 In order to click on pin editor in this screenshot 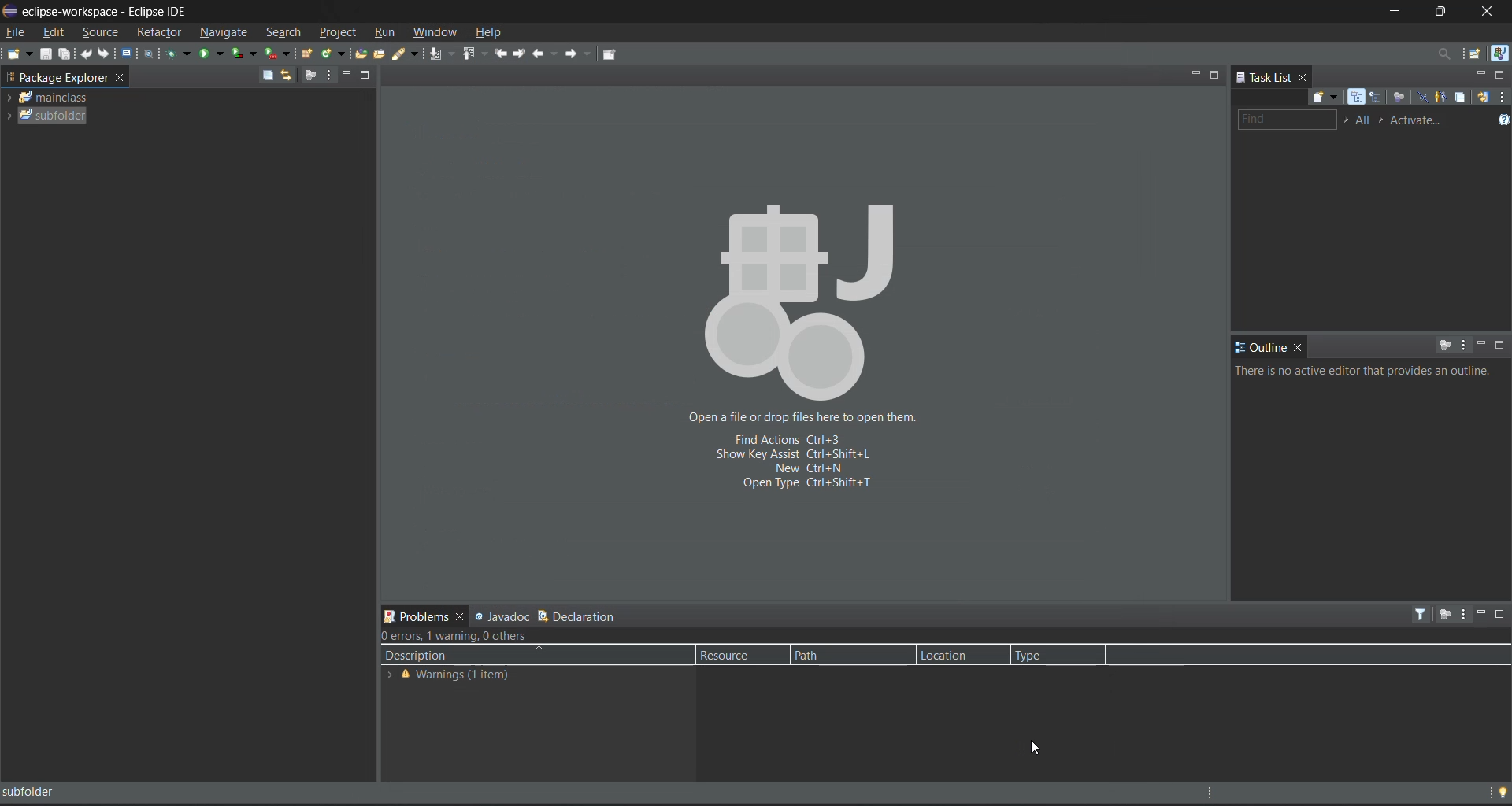, I will do `click(609, 55)`.